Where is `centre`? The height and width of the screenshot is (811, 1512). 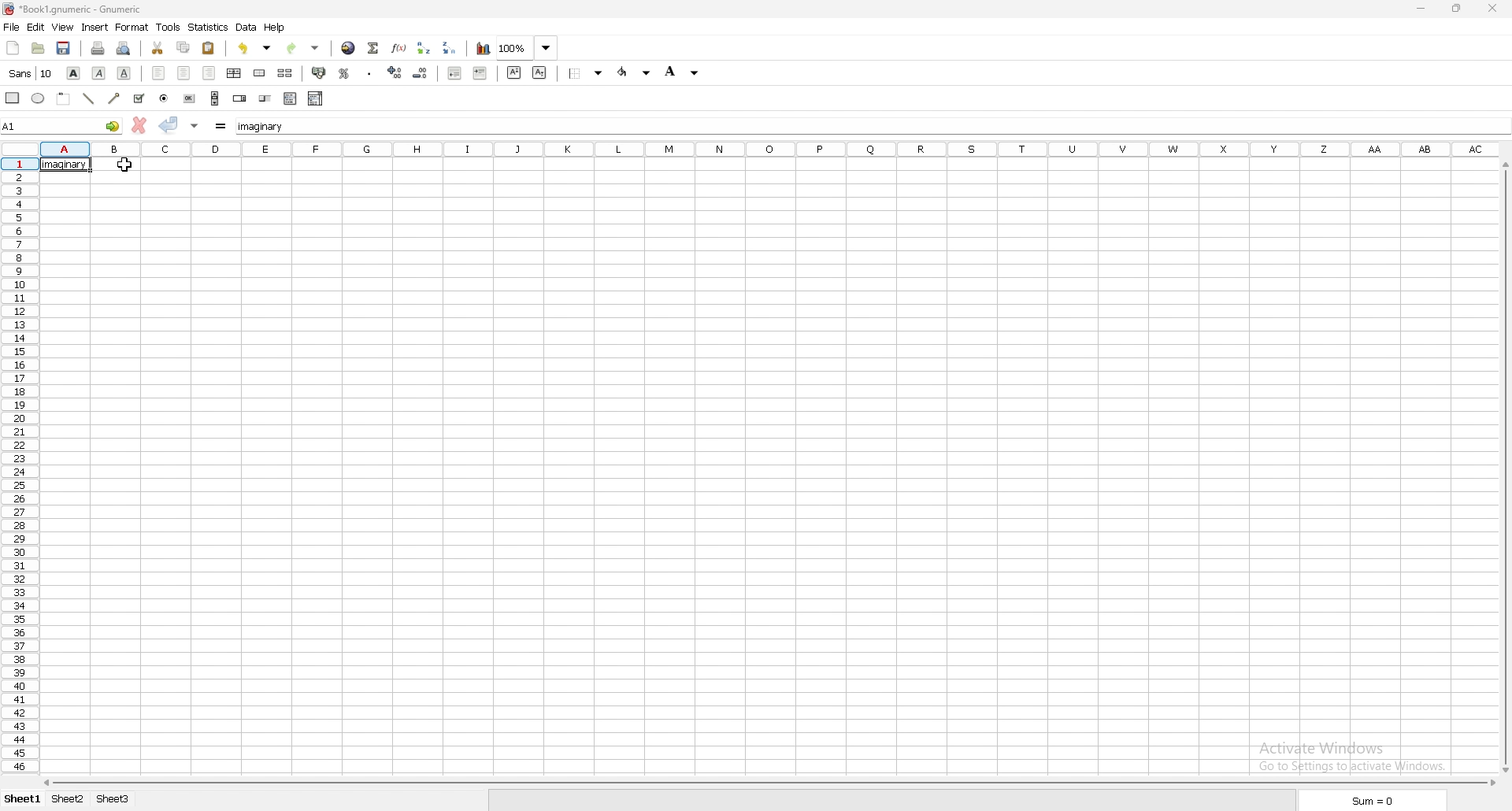
centre is located at coordinates (183, 72).